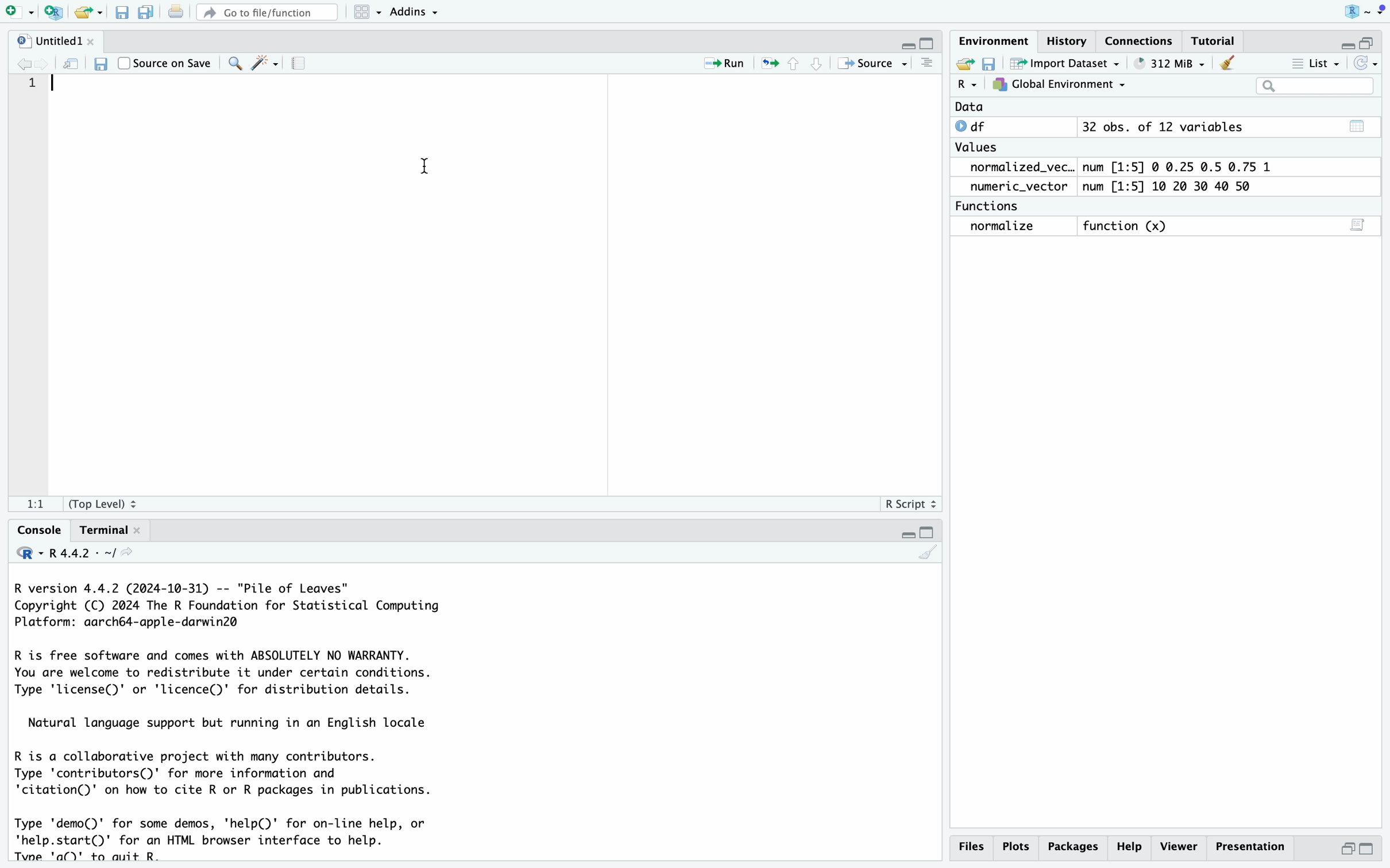  Describe the element at coordinates (911, 41) in the screenshot. I see `minimize/maximize` at that location.